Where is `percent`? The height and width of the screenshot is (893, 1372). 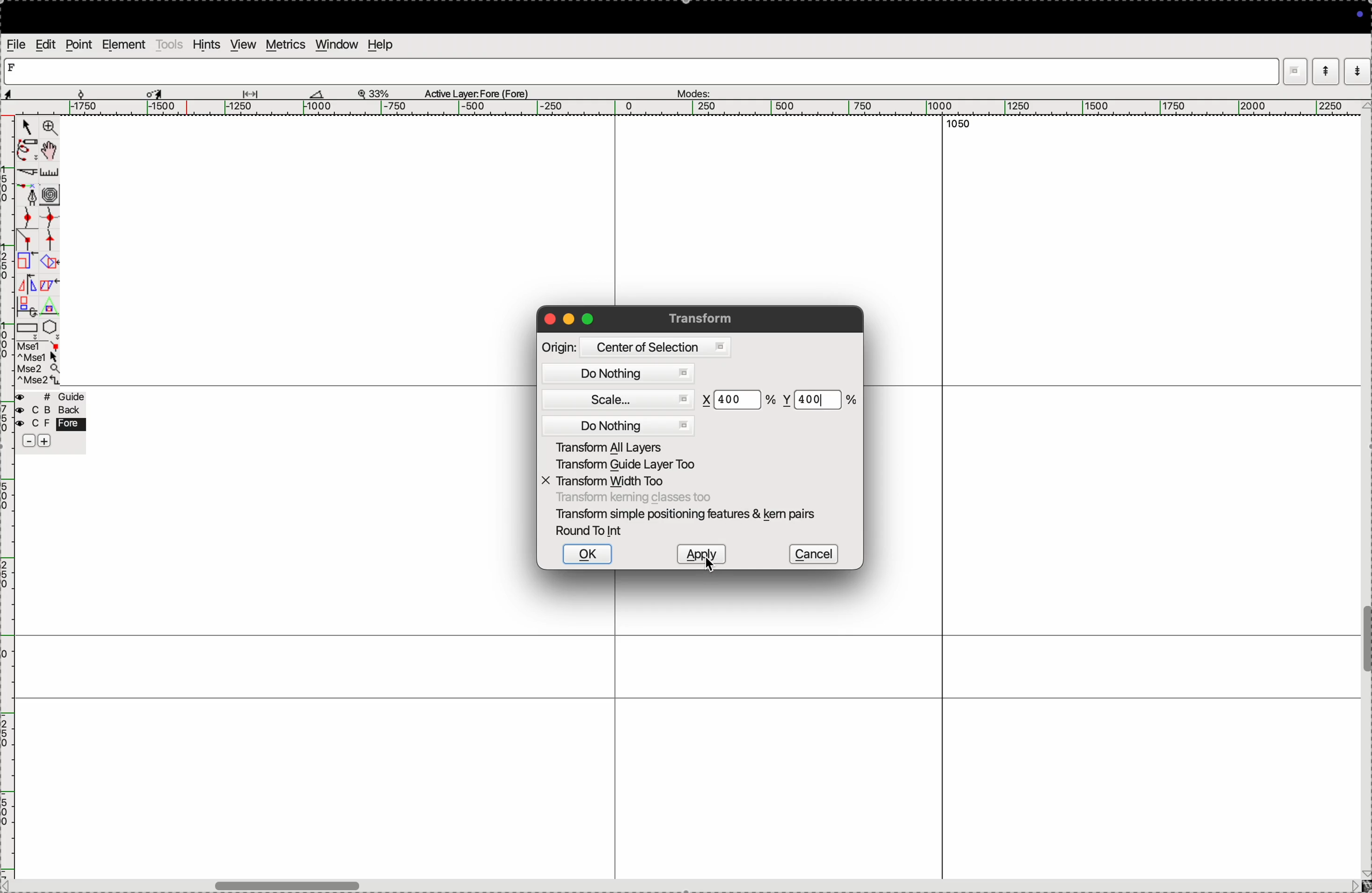 percent is located at coordinates (769, 401).